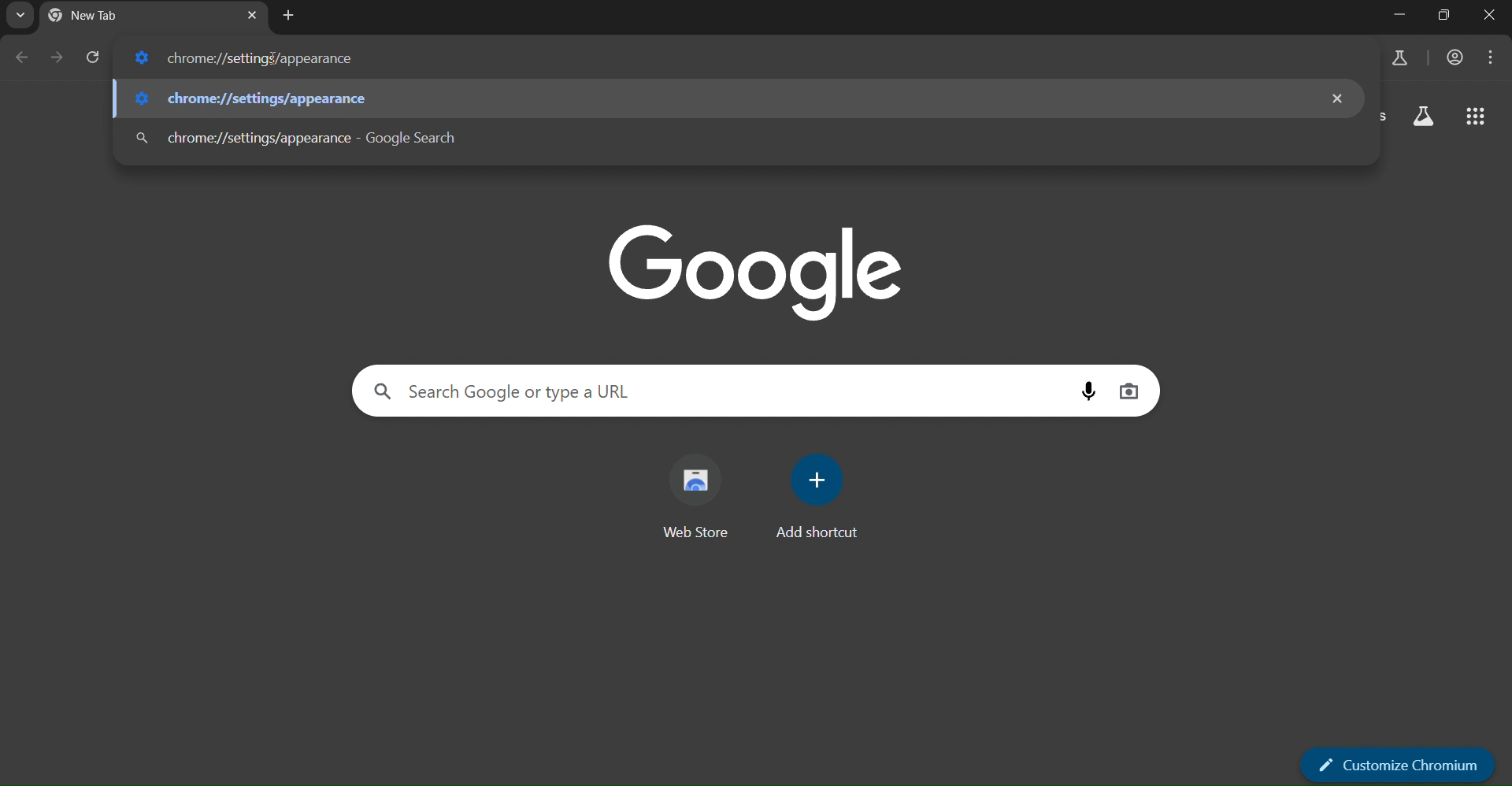 Image resolution: width=1512 pixels, height=786 pixels. Describe the element at coordinates (1493, 60) in the screenshot. I see `menu` at that location.